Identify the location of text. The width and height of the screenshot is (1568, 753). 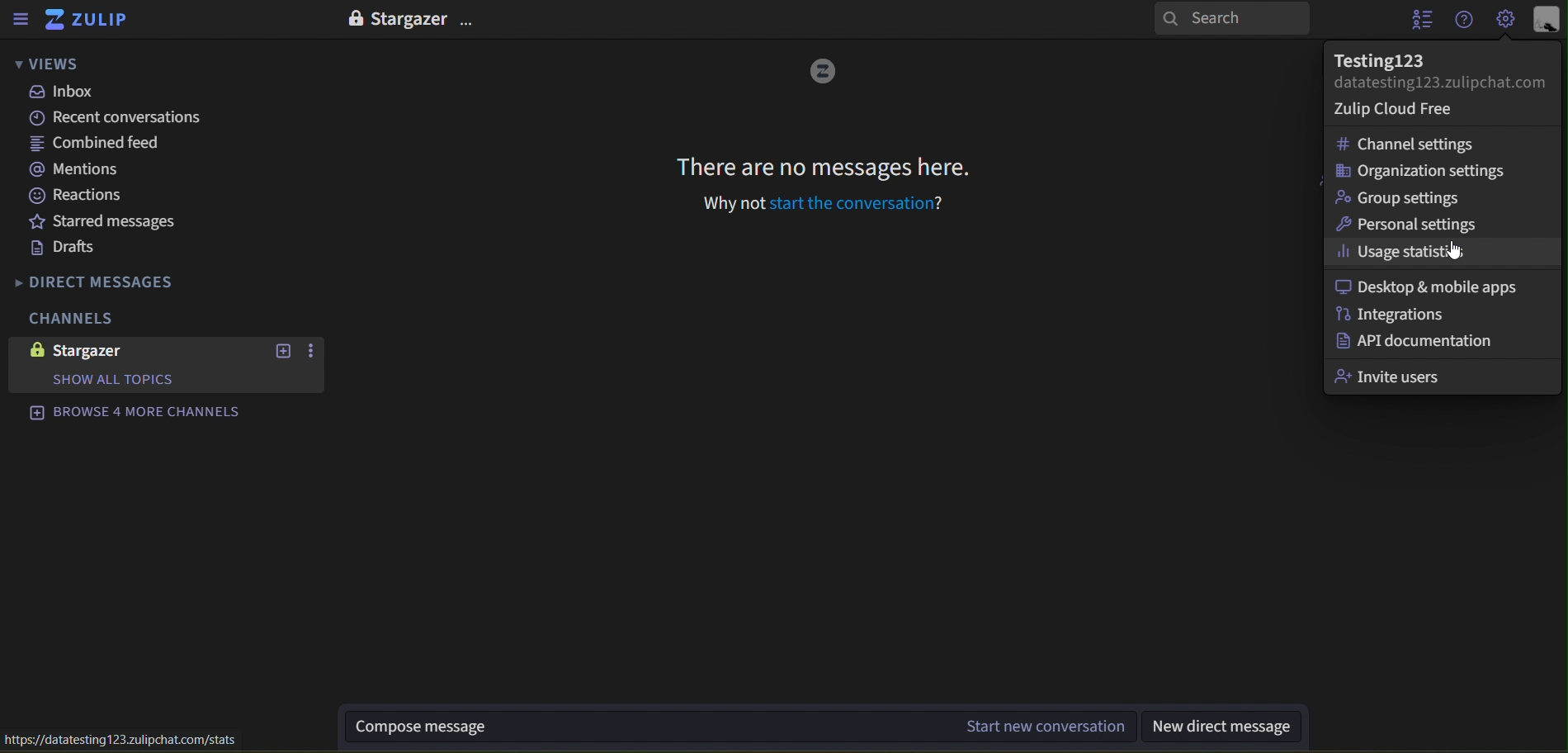
(119, 379).